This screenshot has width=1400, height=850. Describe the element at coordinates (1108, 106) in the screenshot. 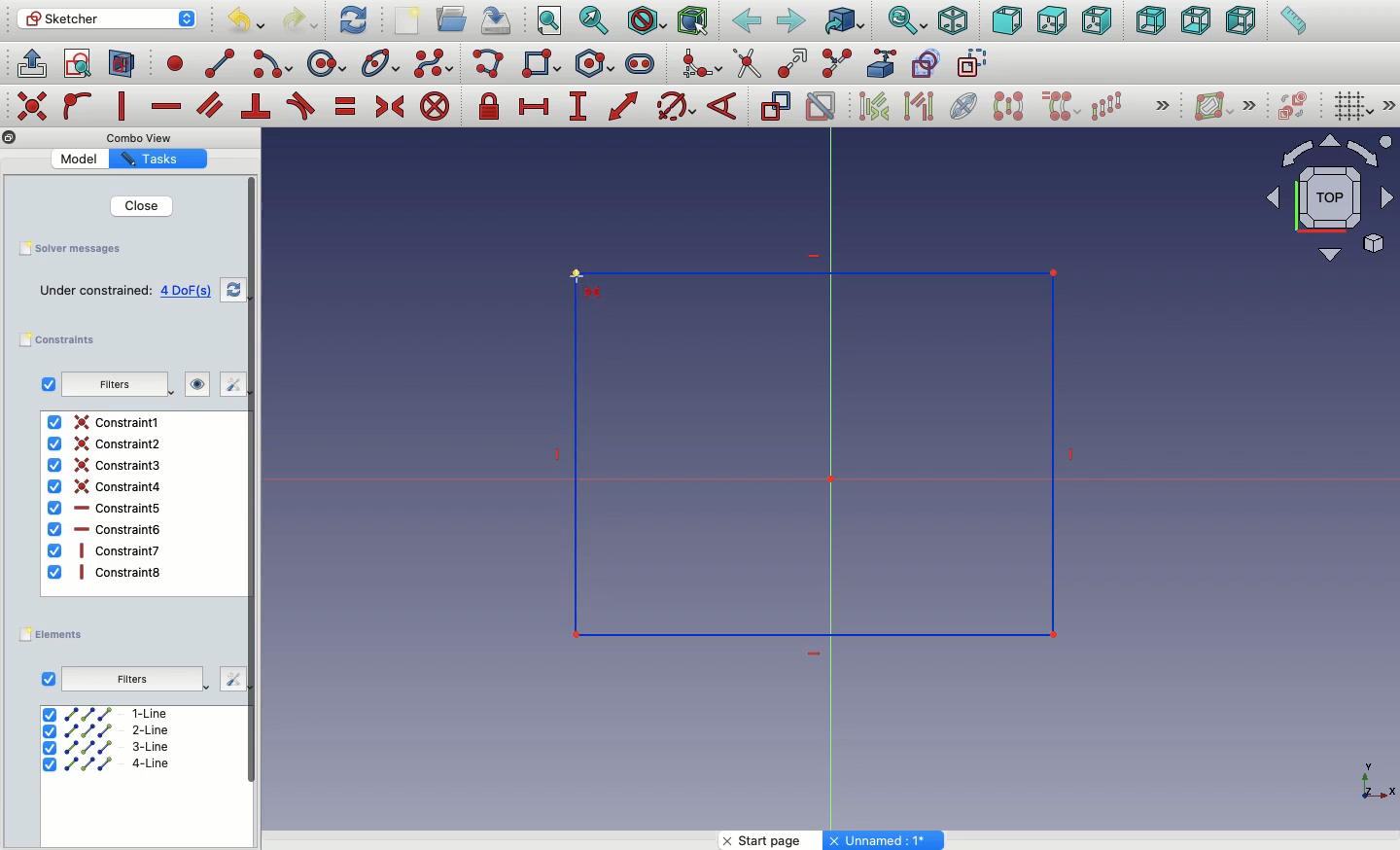

I see `Rectangular array` at that location.